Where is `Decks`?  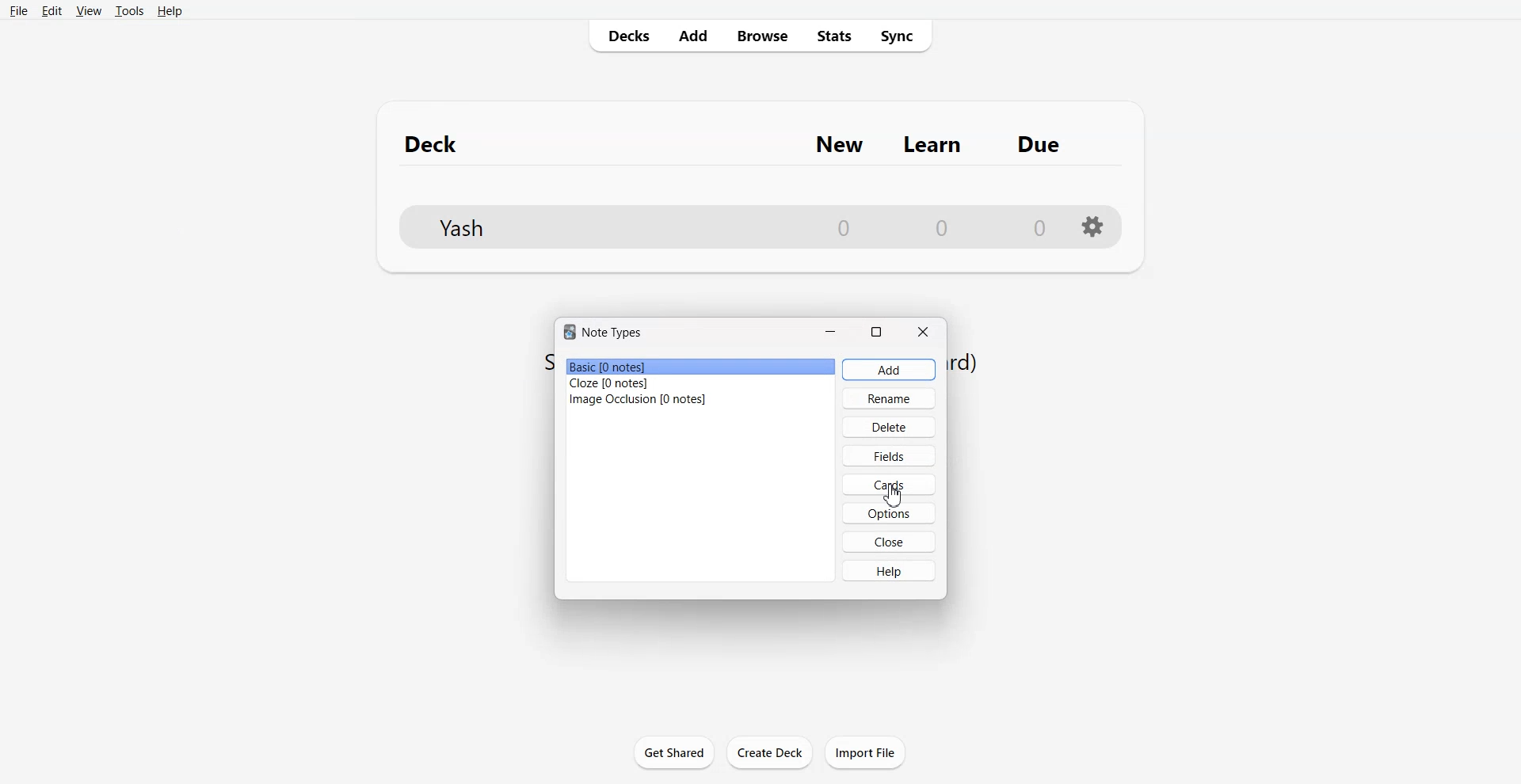 Decks is located at coordinates (623, 36).